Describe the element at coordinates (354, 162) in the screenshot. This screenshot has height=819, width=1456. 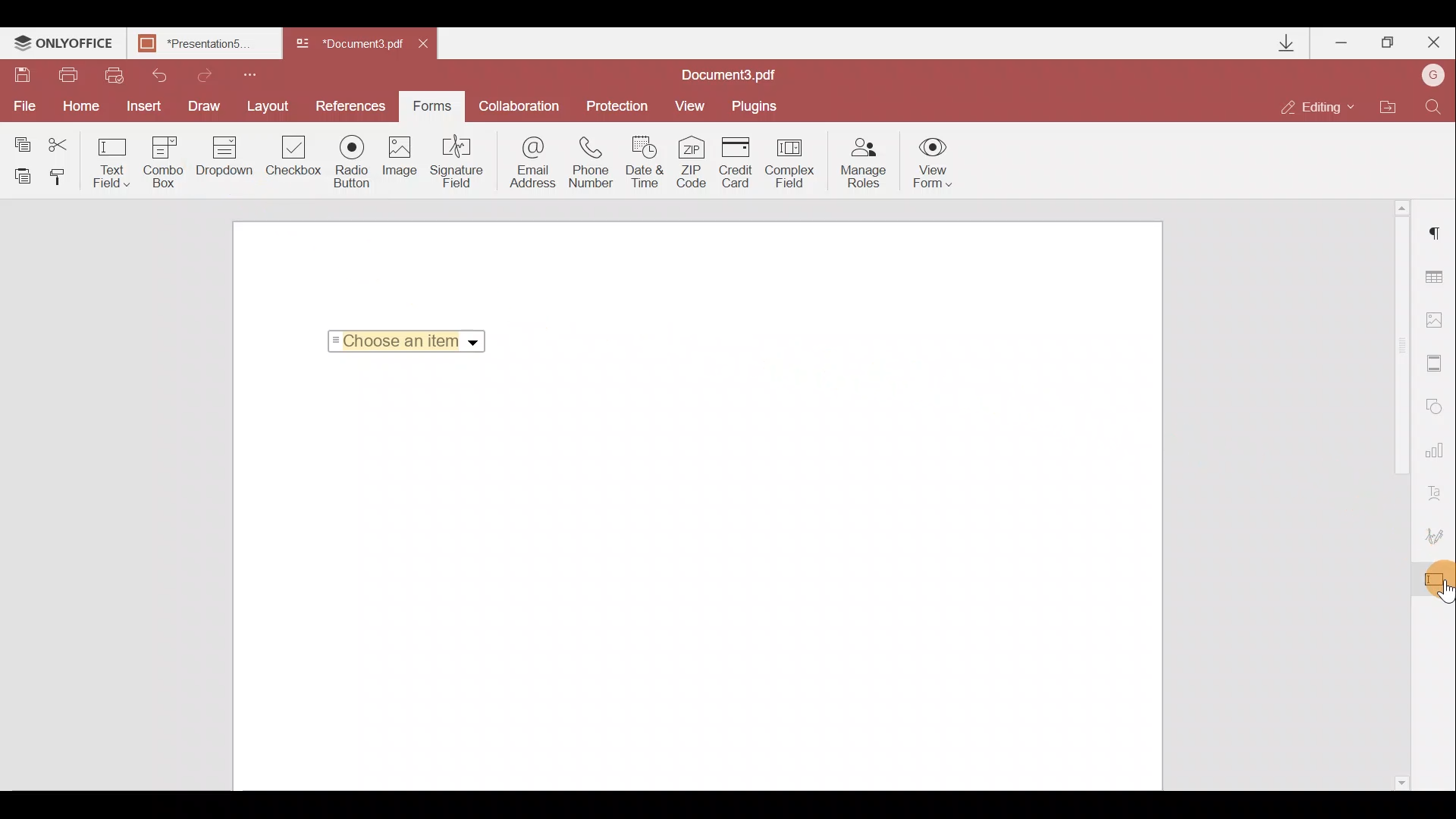
I see `Radio` at that location.